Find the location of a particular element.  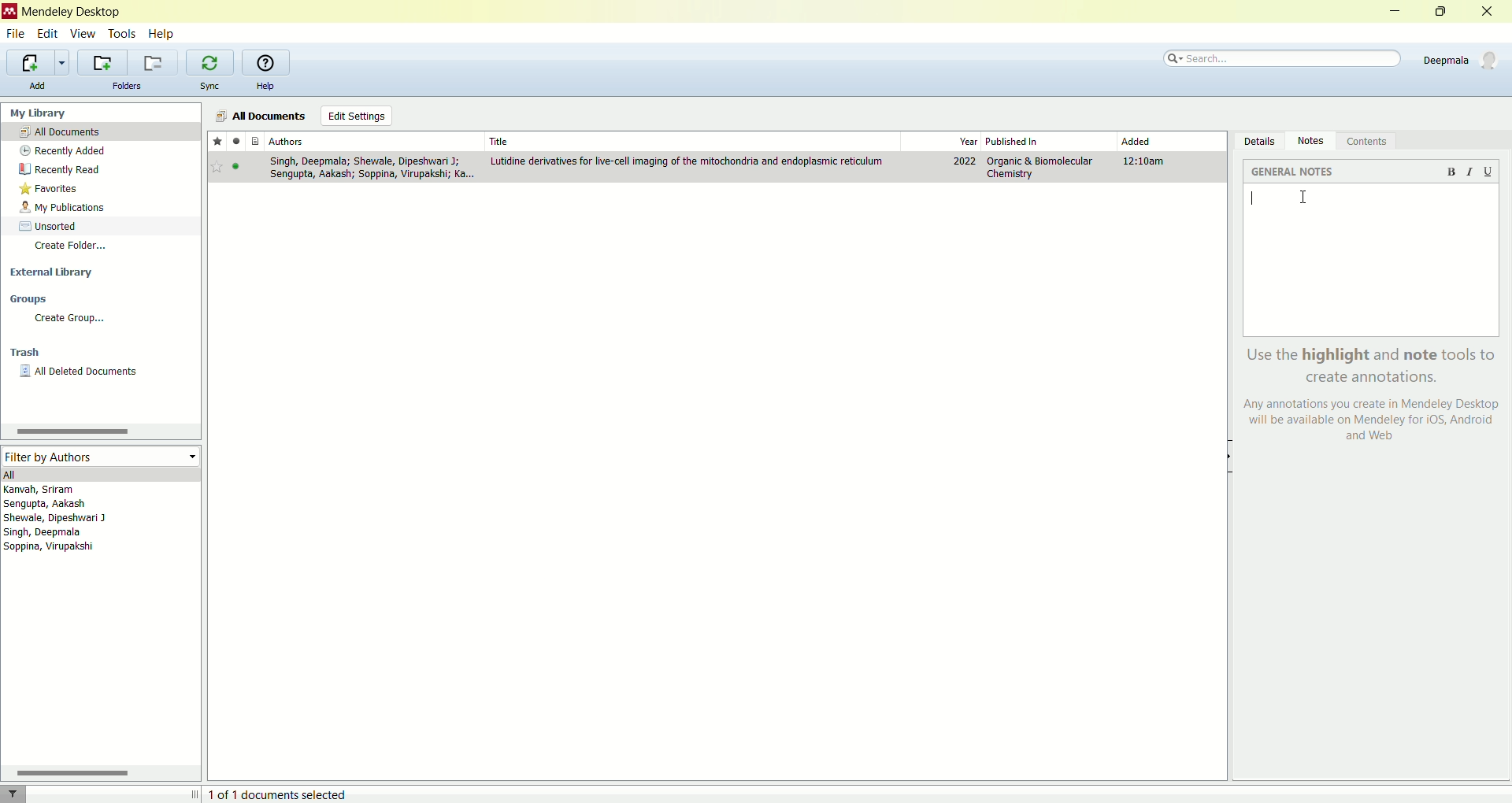

year is located at coordinates (968, 142).